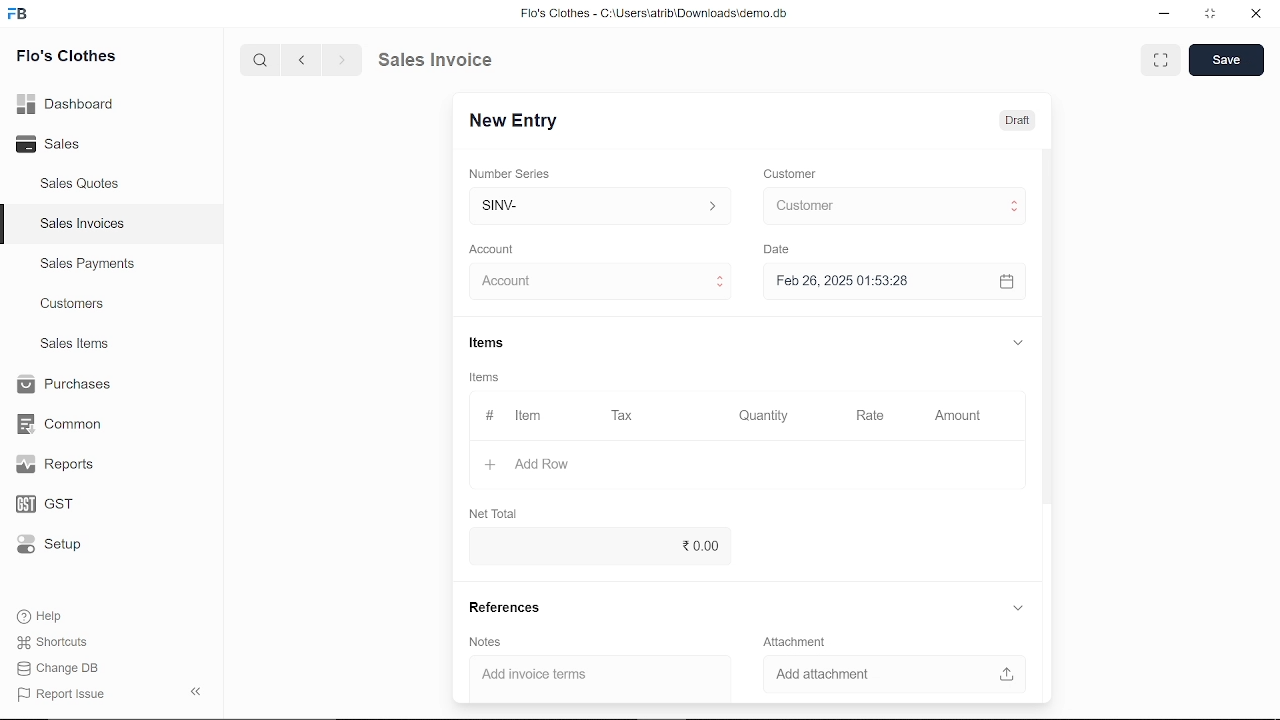  I want to click on Customer, so click(792, 175).